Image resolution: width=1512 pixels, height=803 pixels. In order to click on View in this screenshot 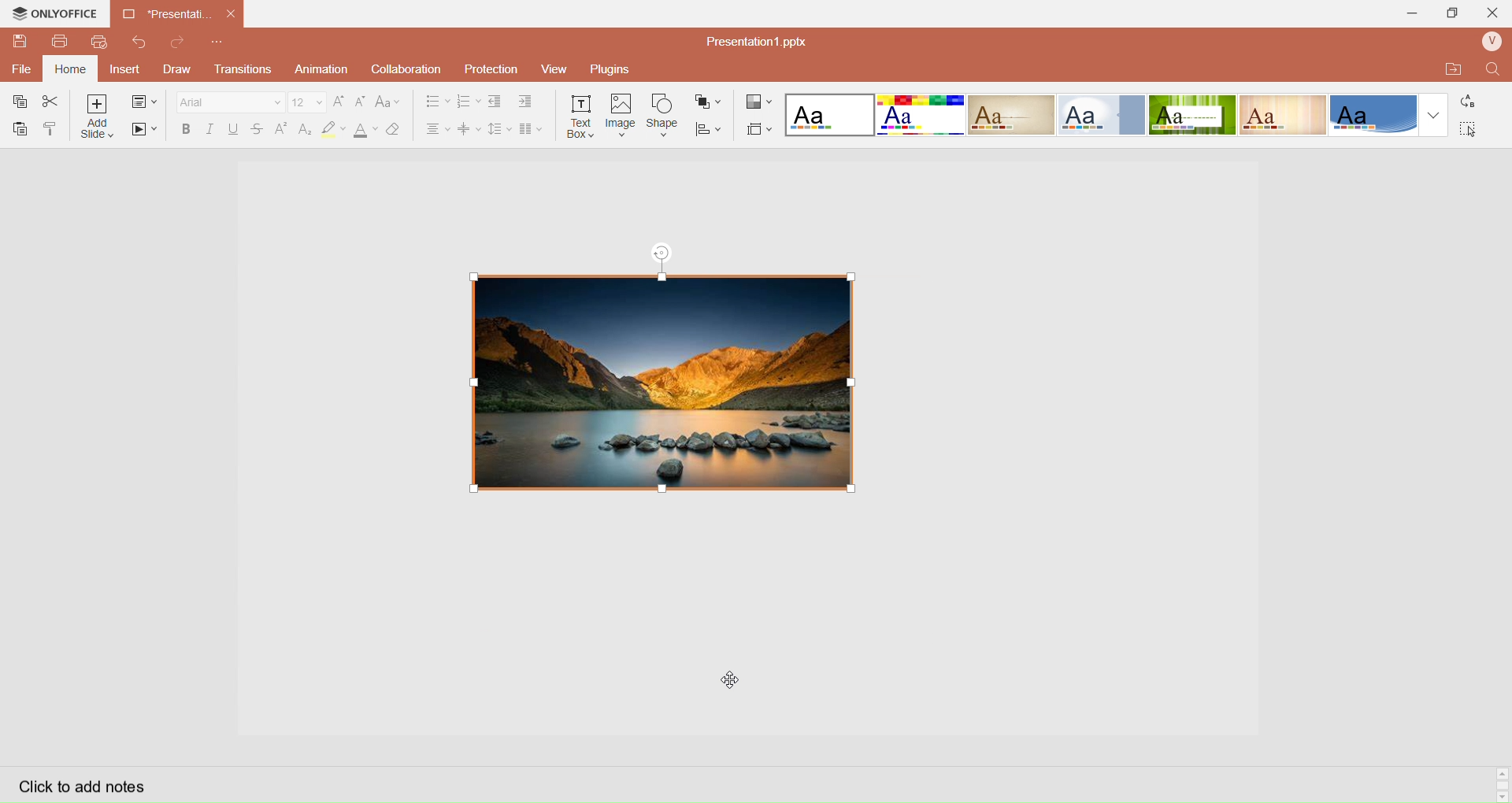, I will do `click(556, 70)`.